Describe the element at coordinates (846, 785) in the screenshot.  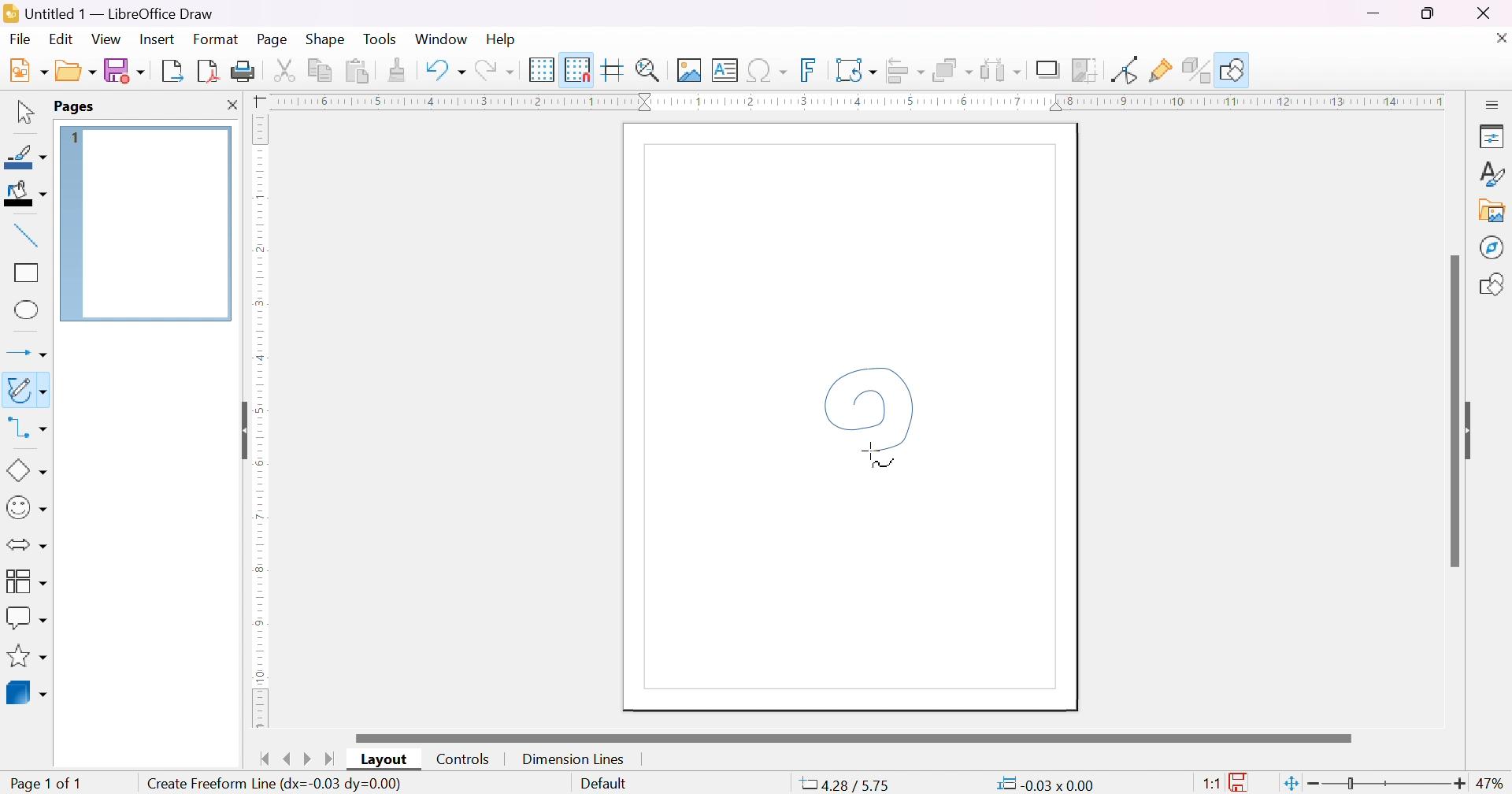
I see `-7.49/4.29` at that location.